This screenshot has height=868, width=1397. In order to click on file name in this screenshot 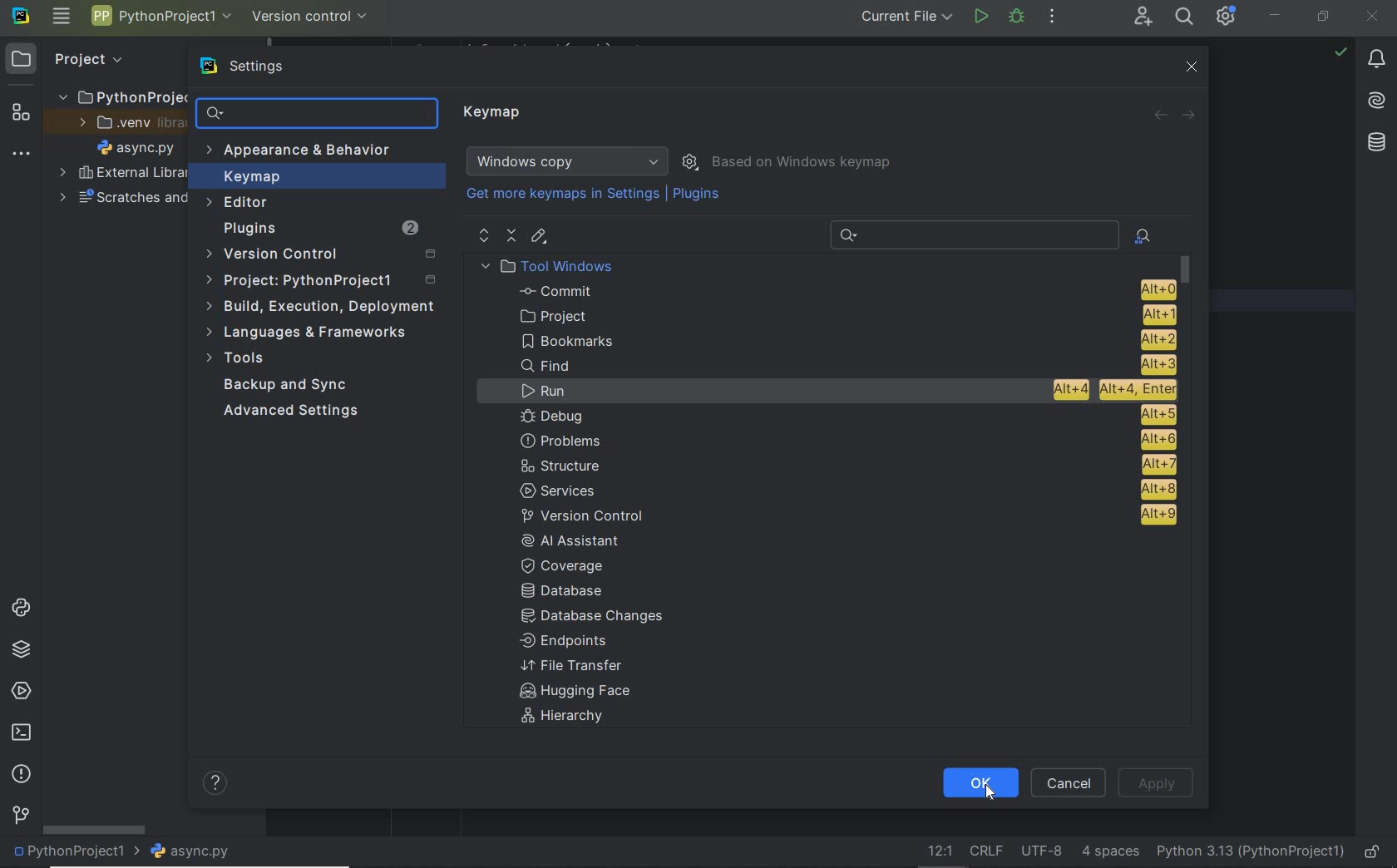, I will do `click(136, 147)`.